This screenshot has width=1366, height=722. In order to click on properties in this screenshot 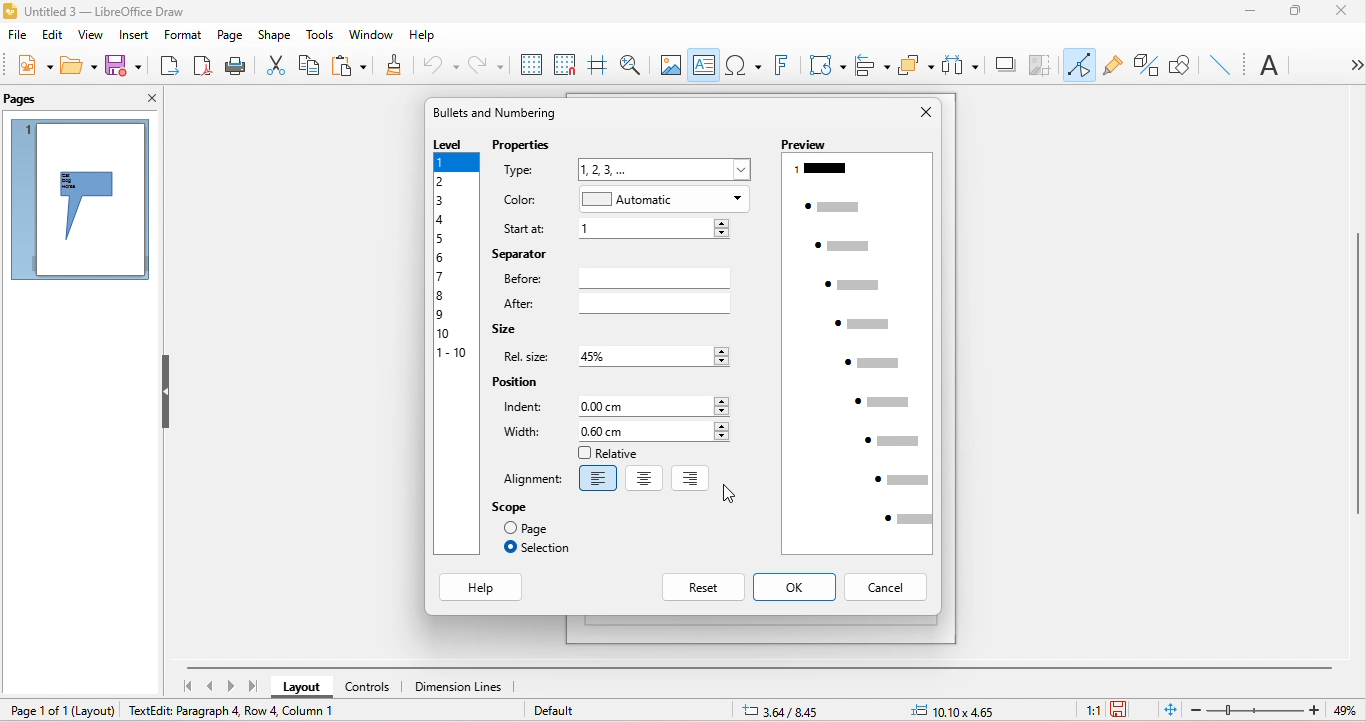, I will do `click(537, 148)`.